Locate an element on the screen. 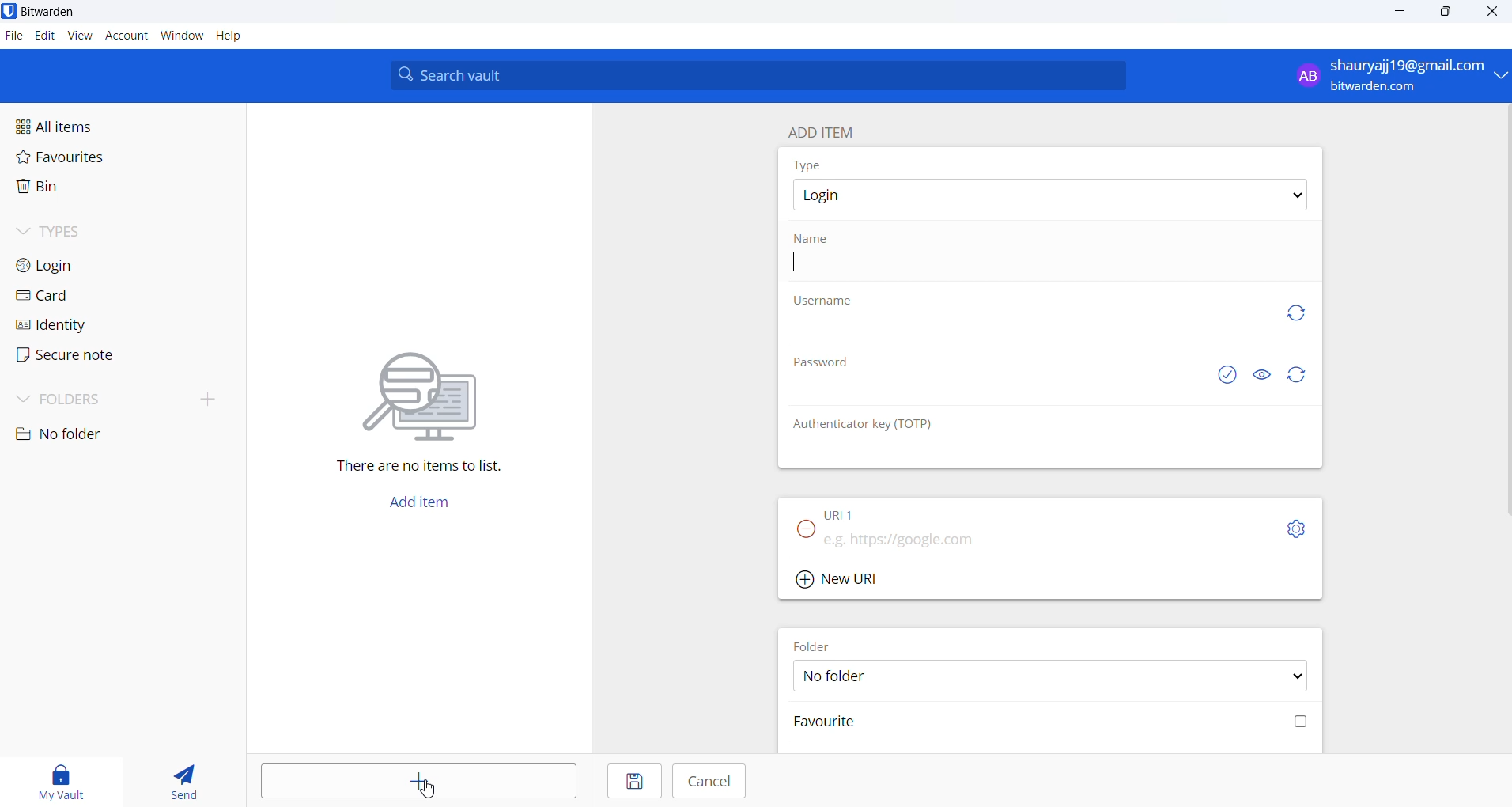 Image resolution: width=1512 pixels, height=807 pixels. Name is located at coordinates (815, 237).